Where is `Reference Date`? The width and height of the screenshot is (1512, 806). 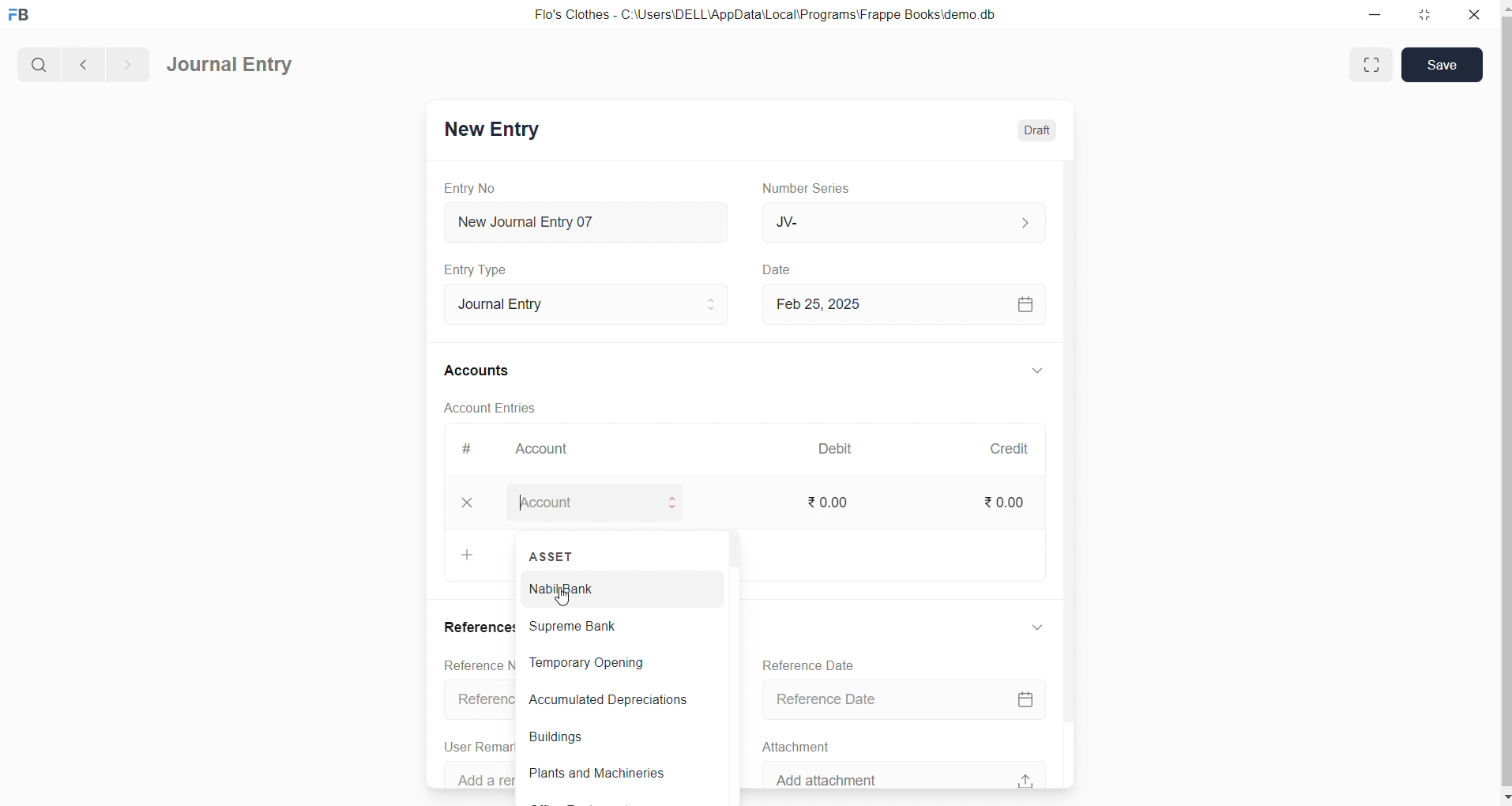
Reference Date is located at coordinates (818, 663).